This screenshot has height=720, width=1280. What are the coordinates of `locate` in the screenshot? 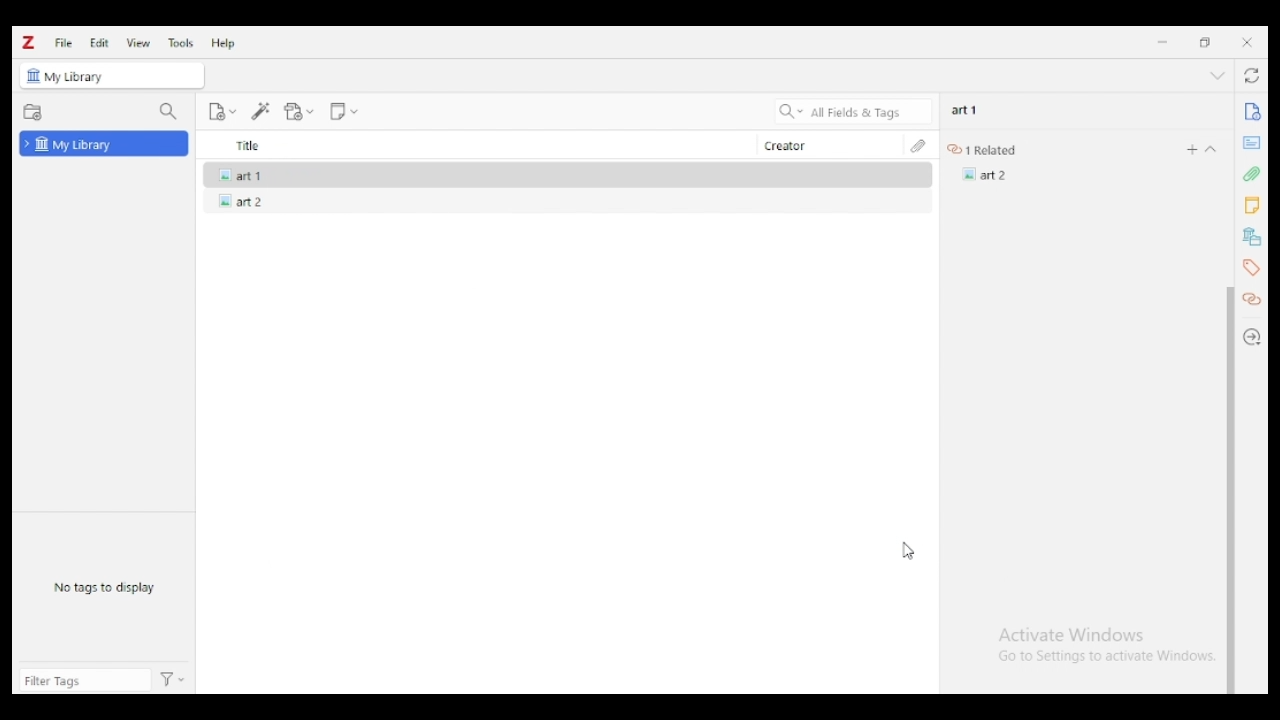 It's located at (1254, 337).